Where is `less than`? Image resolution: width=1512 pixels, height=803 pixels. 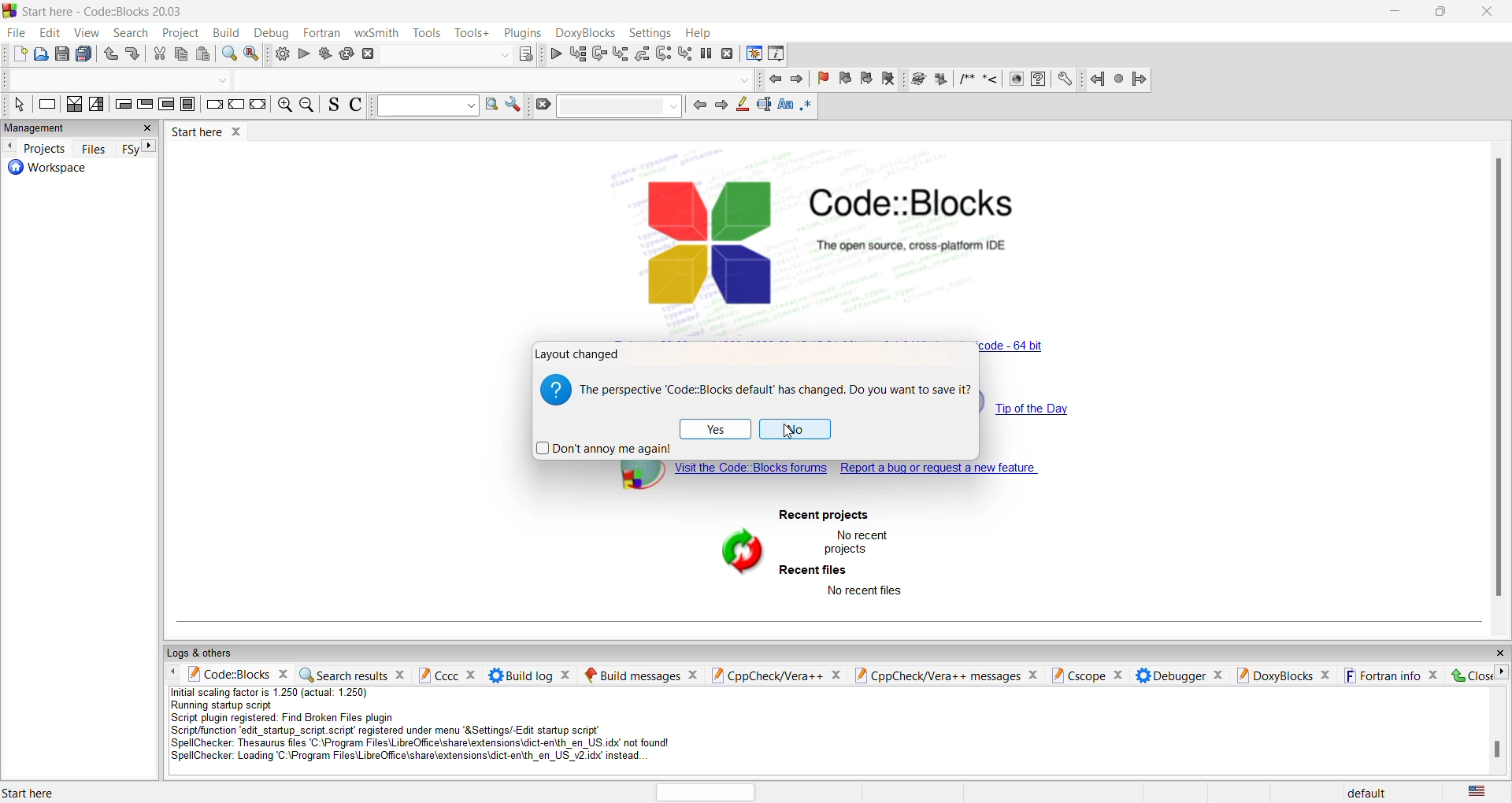 less than is located at coordinates (991, 80).